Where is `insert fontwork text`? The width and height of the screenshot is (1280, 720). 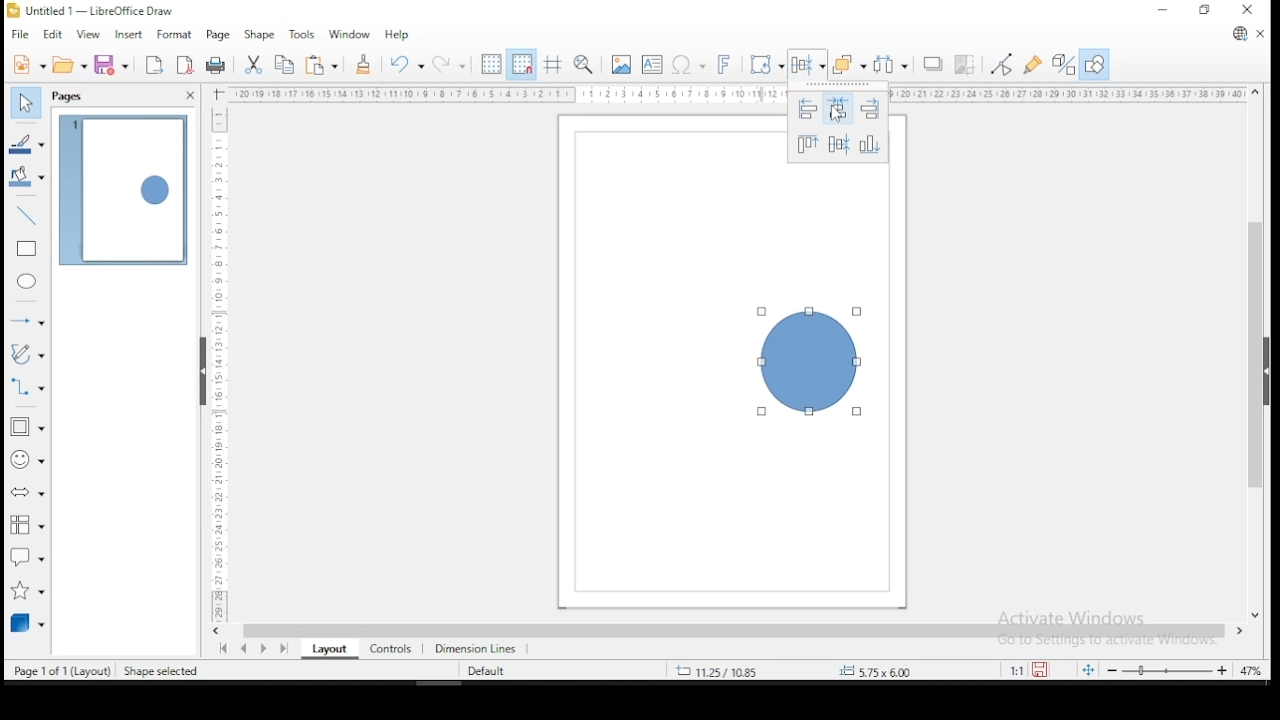 insert fontwork text is located at coordinates (724, 62).